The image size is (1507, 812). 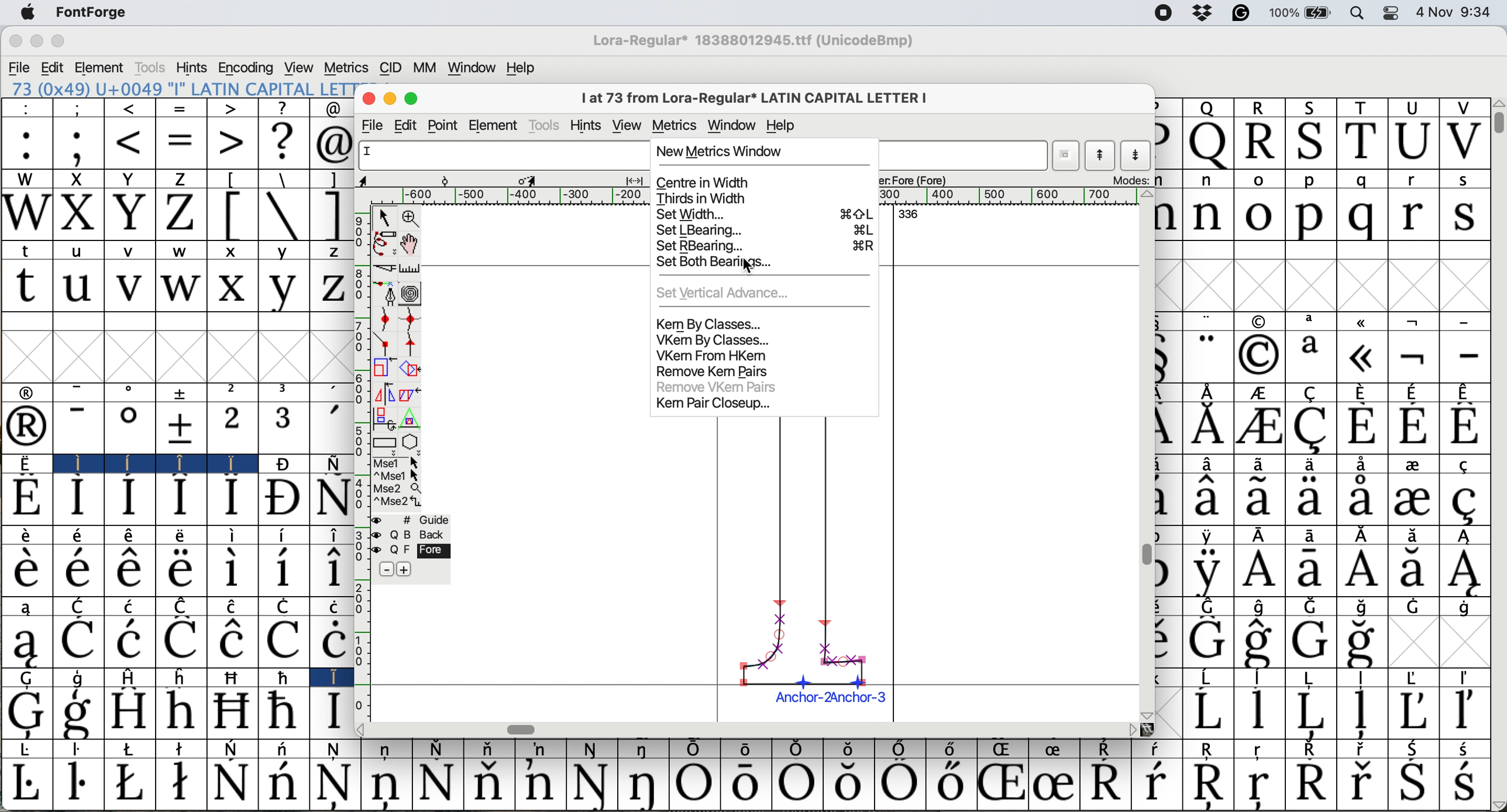 I want to click on p, so click(x=1309, y=216).